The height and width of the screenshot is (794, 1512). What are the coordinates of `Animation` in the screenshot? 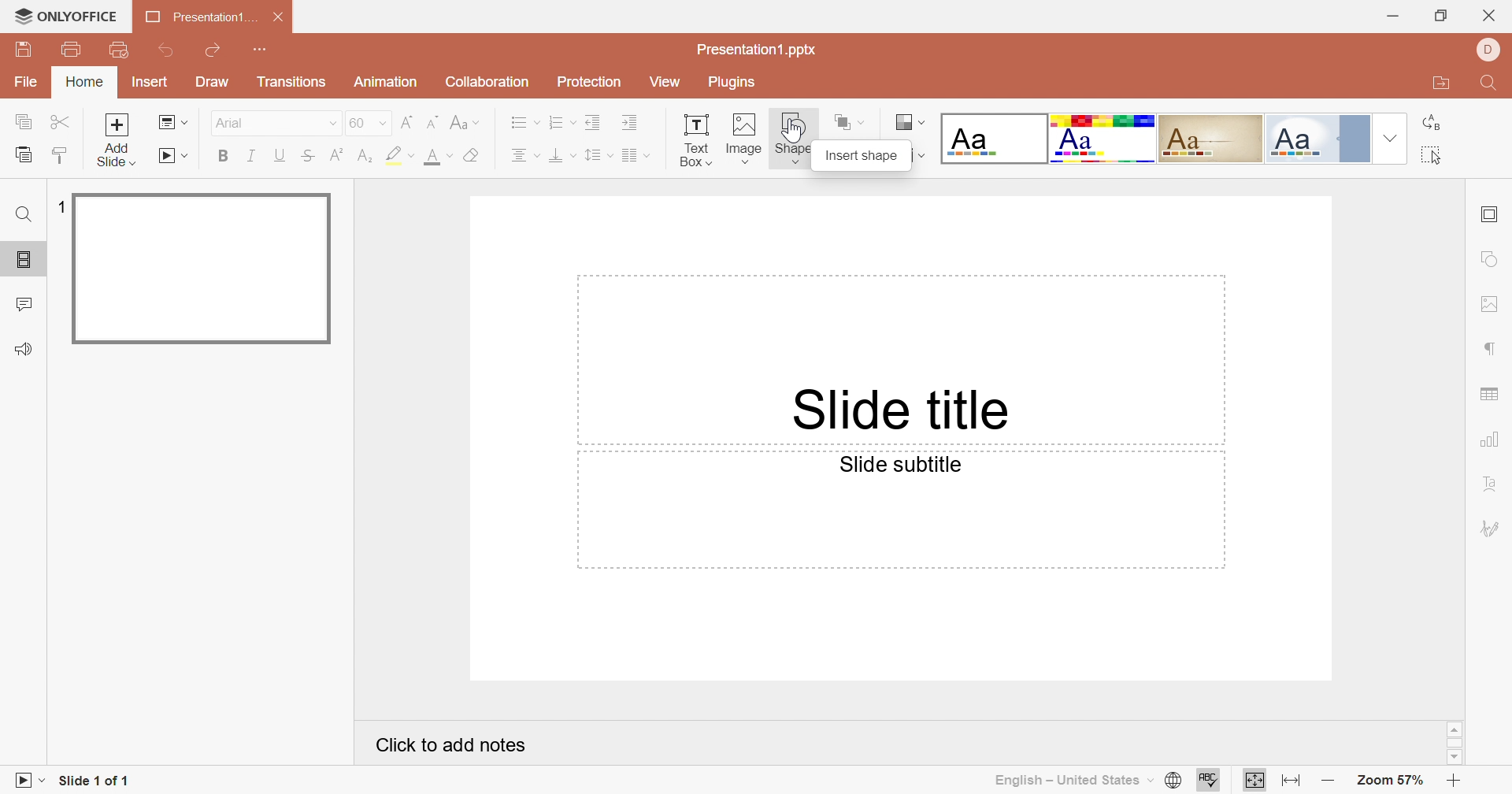 It's located at (383, 82).